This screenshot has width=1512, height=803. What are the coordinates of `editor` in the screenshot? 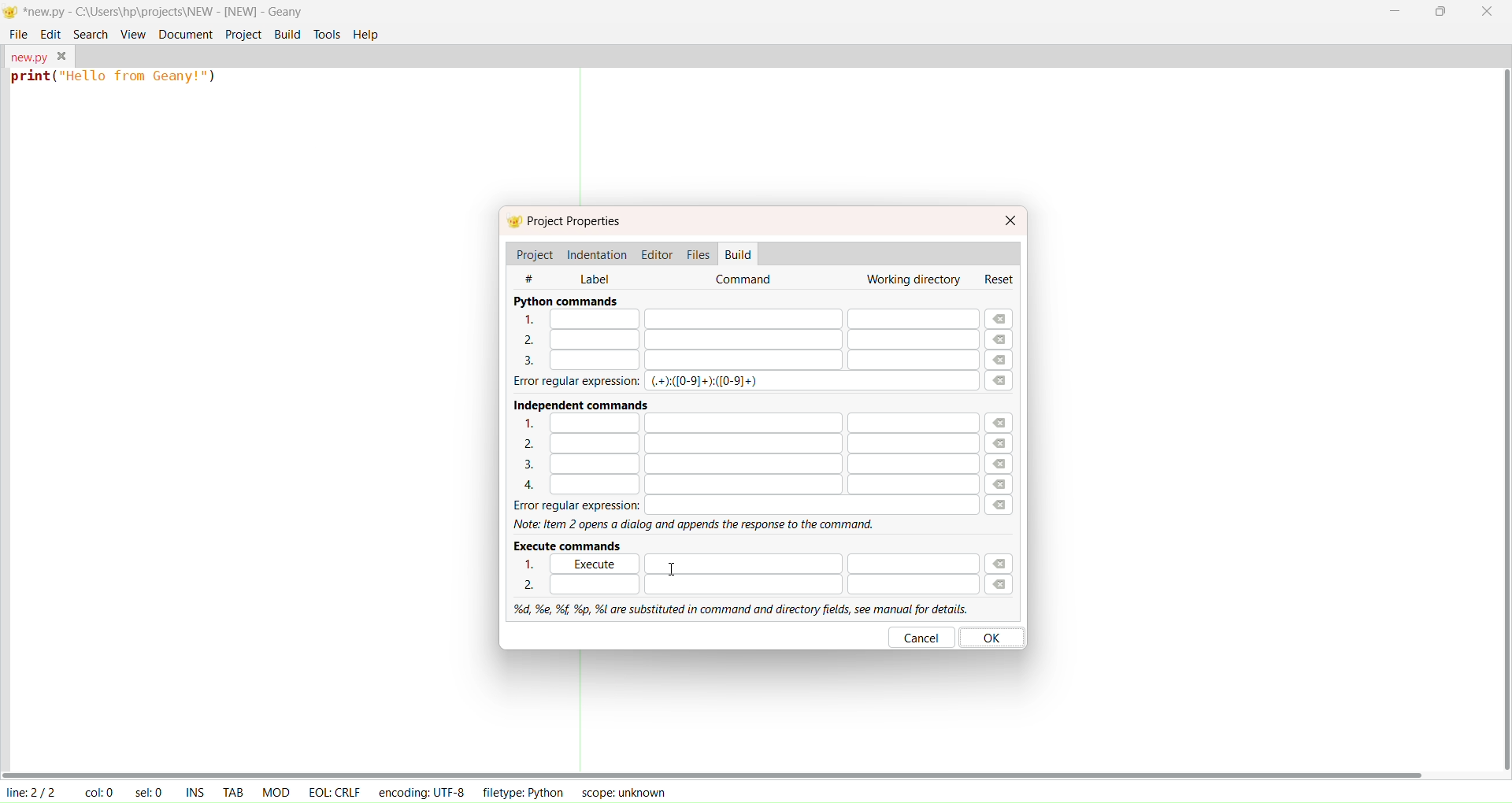 It's located at (658, 253).